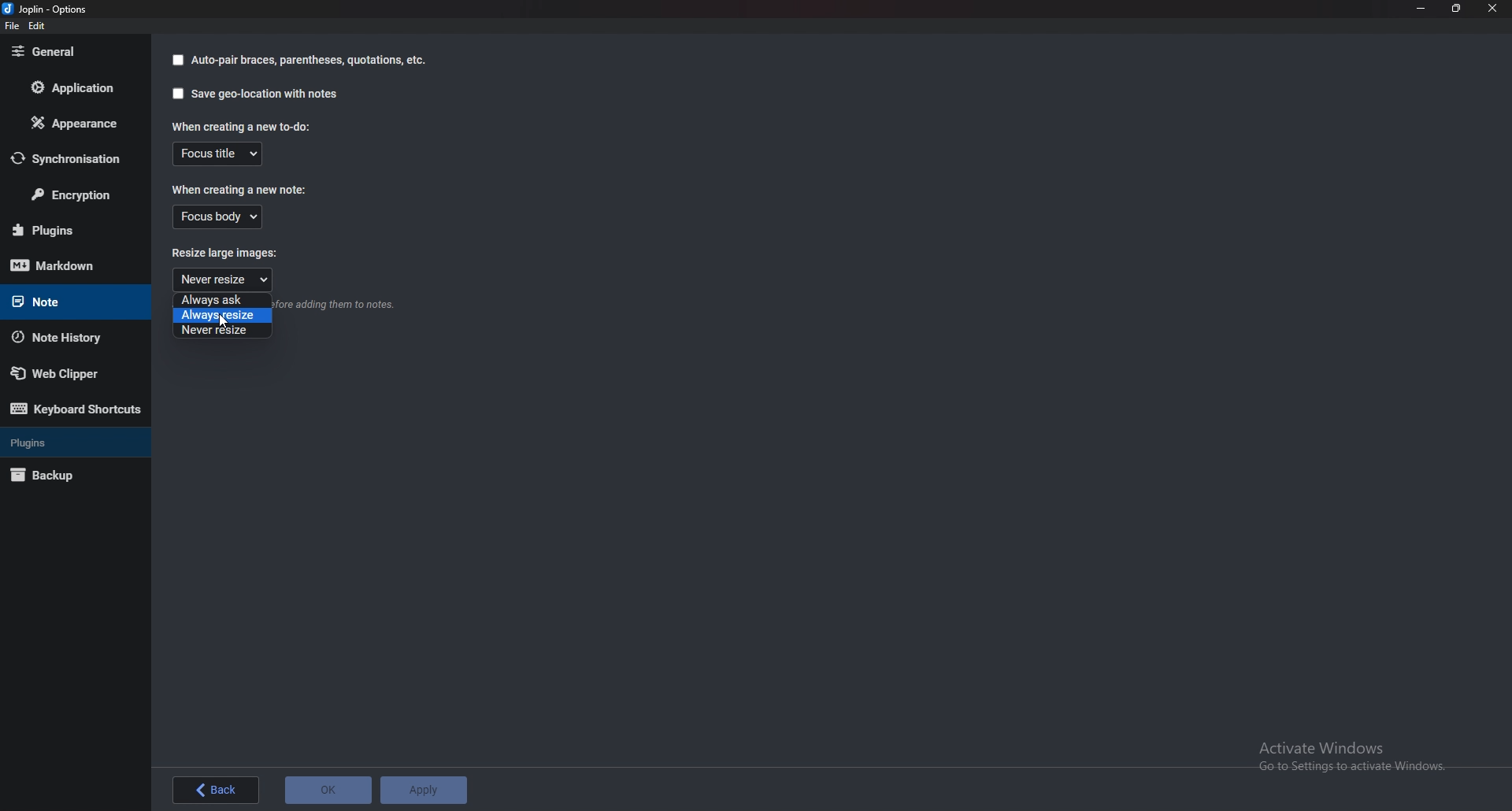  I want to click on Plugin, so click(70, 231).